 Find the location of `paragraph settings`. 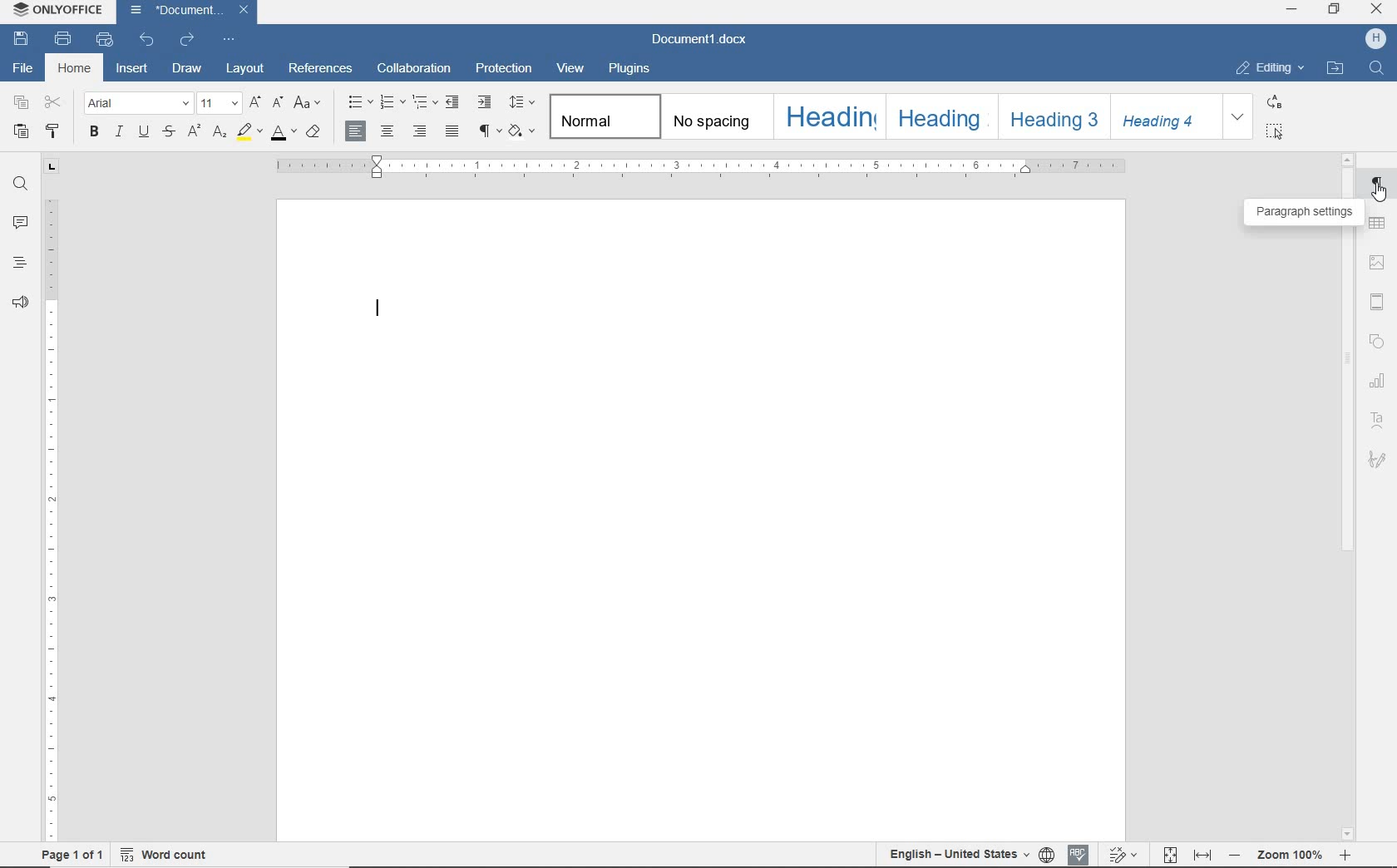

paragraph settings is located at coordinates (1302, 212).